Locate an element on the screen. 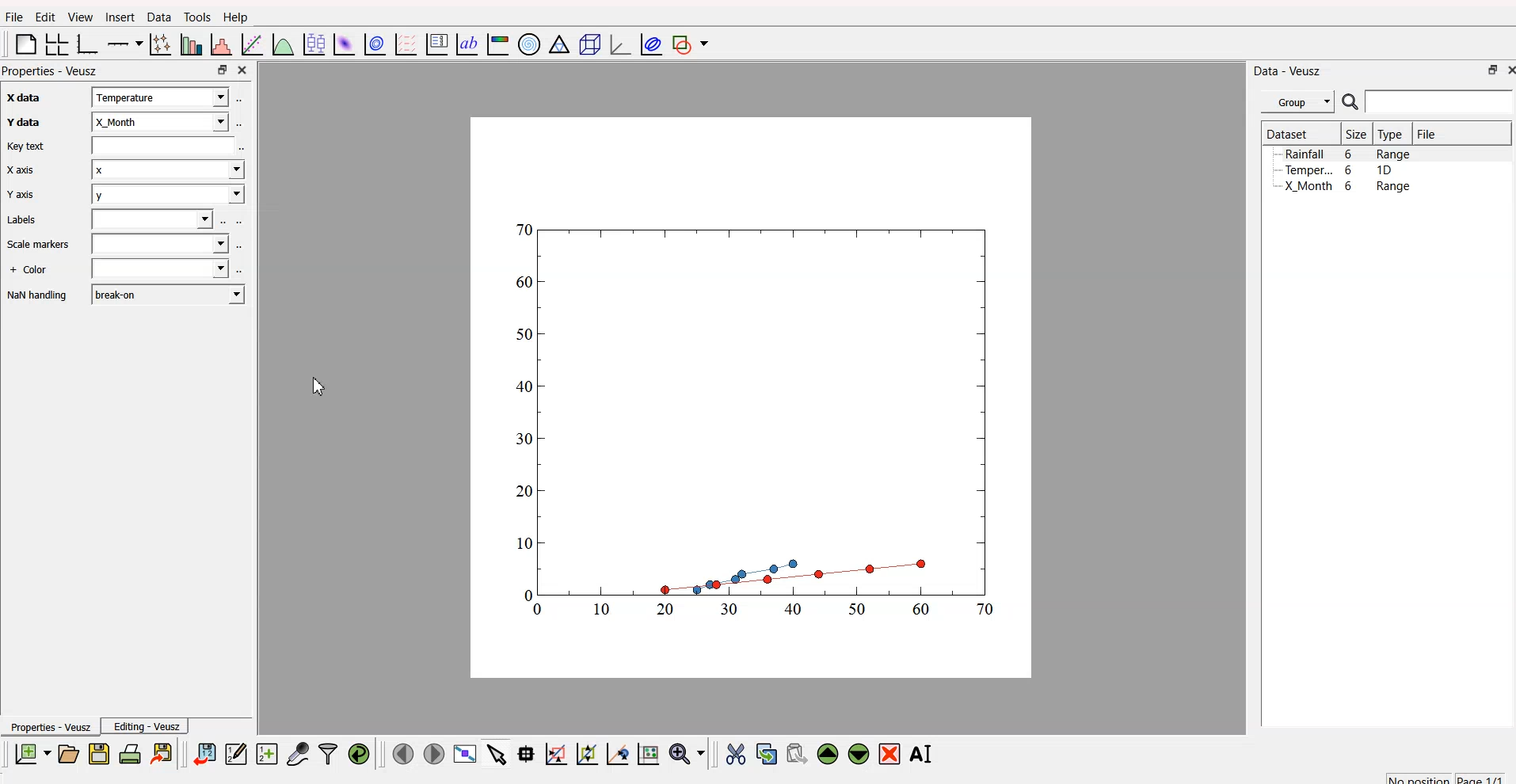 The height and width of the screenshot is (784, 1516). zoom menu is located at coordinates (688, 752).